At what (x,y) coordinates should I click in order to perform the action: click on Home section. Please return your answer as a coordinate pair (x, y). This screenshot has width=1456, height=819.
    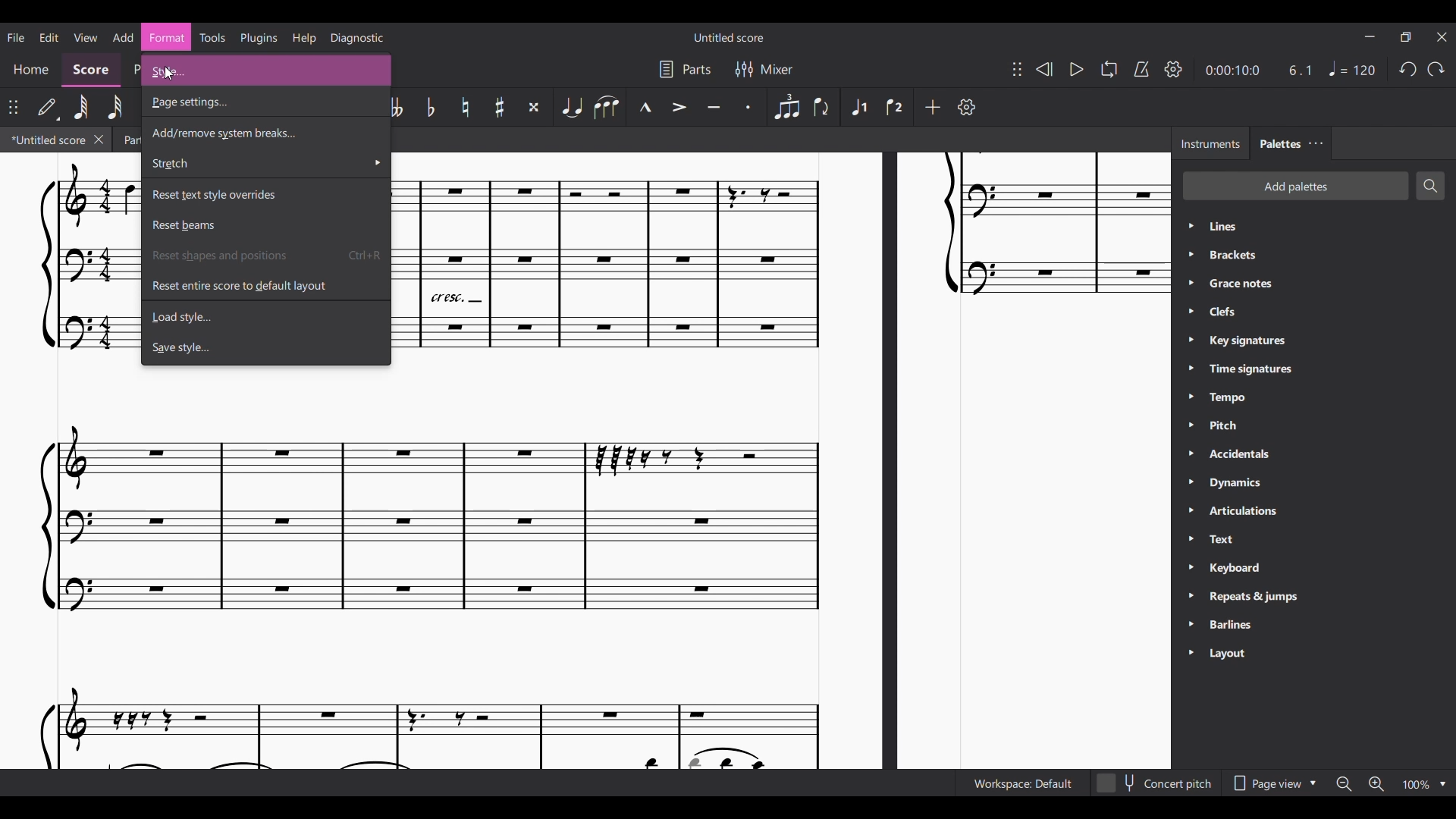
    Looking at the image, I should click on (30, 70).